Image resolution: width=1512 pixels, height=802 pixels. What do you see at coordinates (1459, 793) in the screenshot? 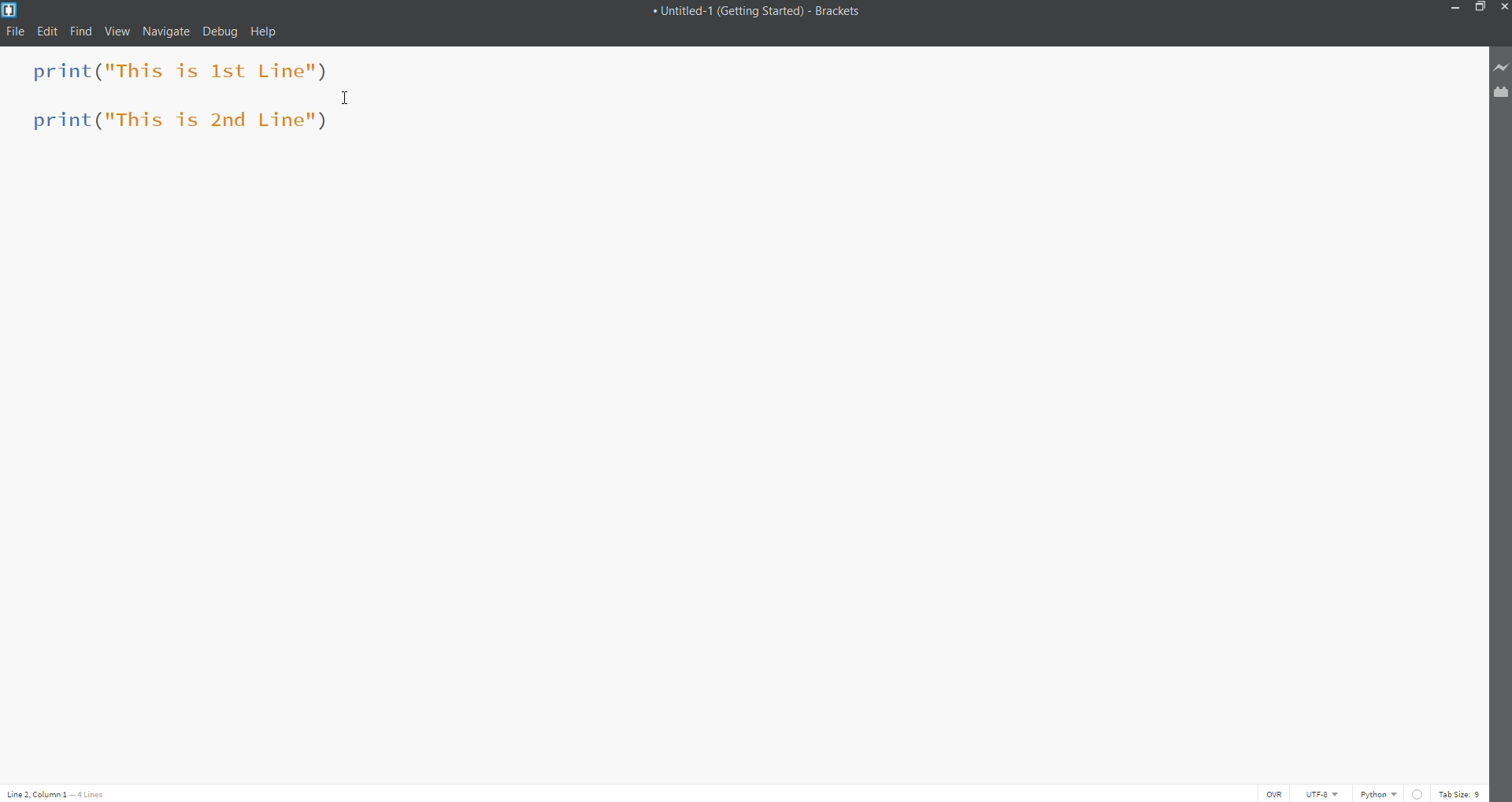
I see `Tab Size` at bounding box center [1459, 793].